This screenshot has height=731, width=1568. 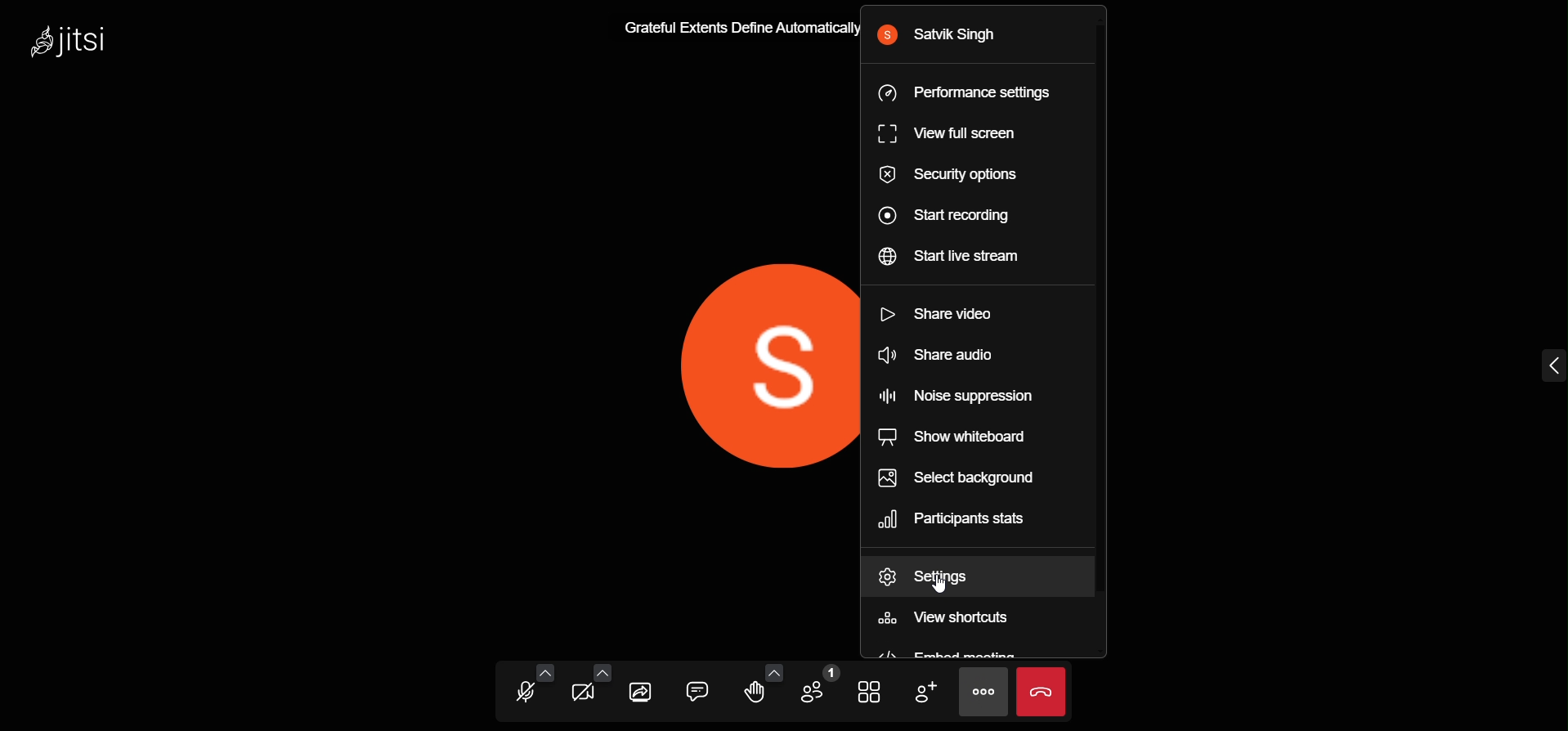 What do you see at coordinates (601, 671) in the screenshot?
I see `video setting` at bounding box center [601, 671].